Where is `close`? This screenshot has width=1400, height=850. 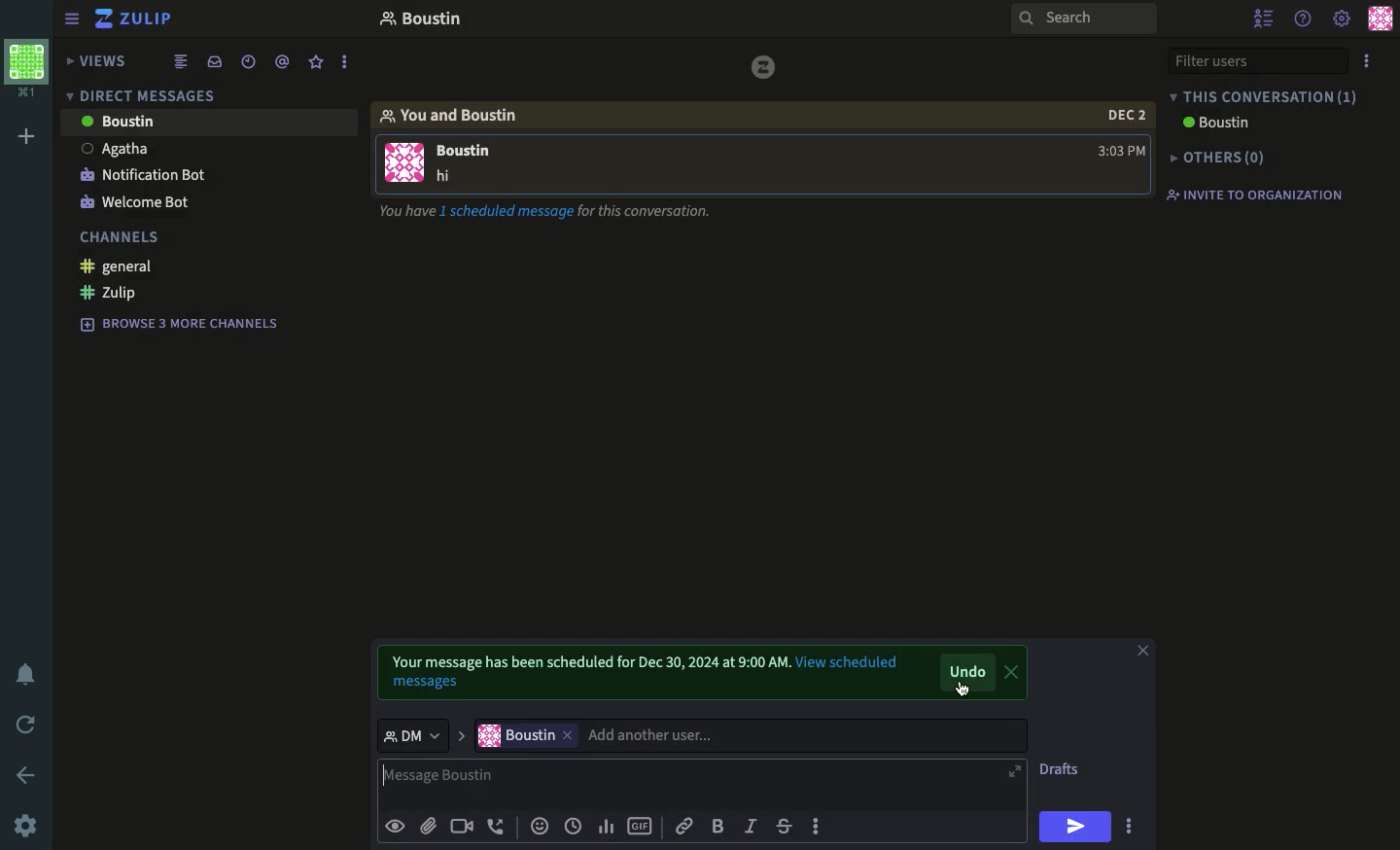 close is located at coordinates (1144, 650).